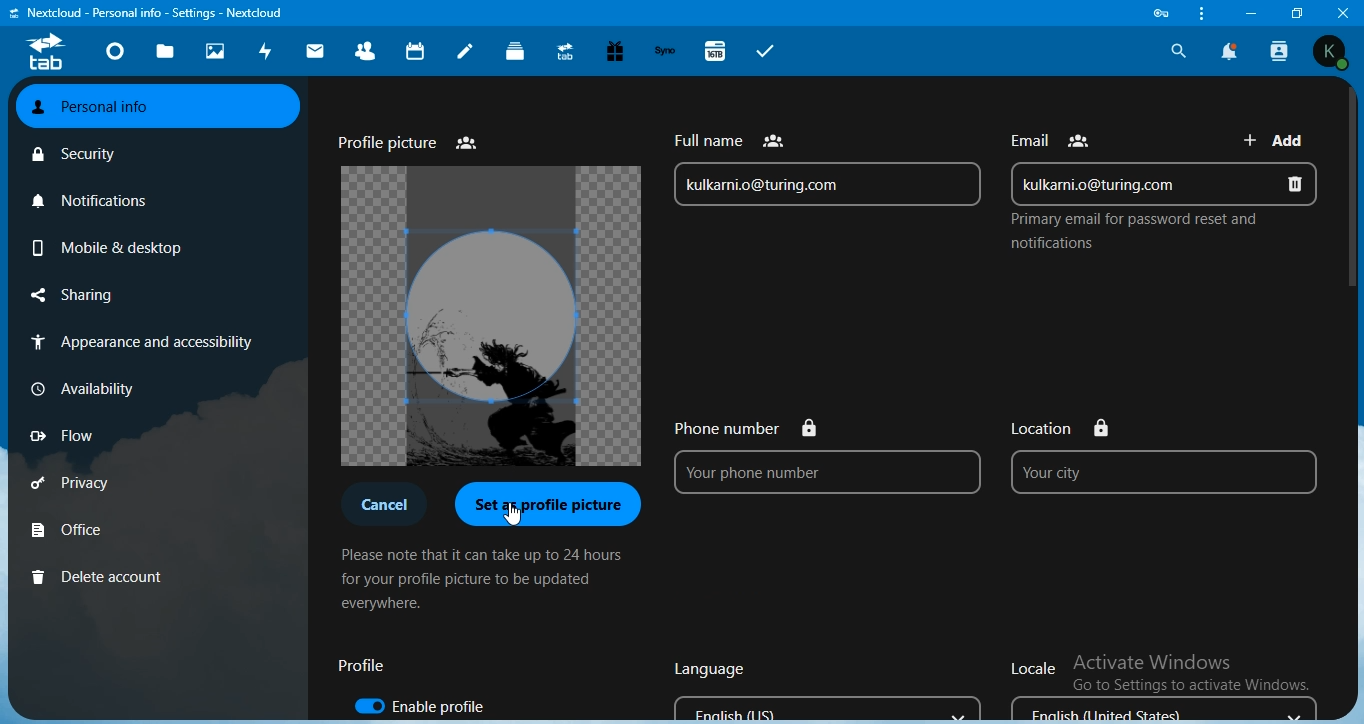 Image resolution: width=1364 pixels, height=724 pixels. What do you see at coordinates (766, 52) in the screenshot?
I see `tasks` at bounding box center [766, 52].